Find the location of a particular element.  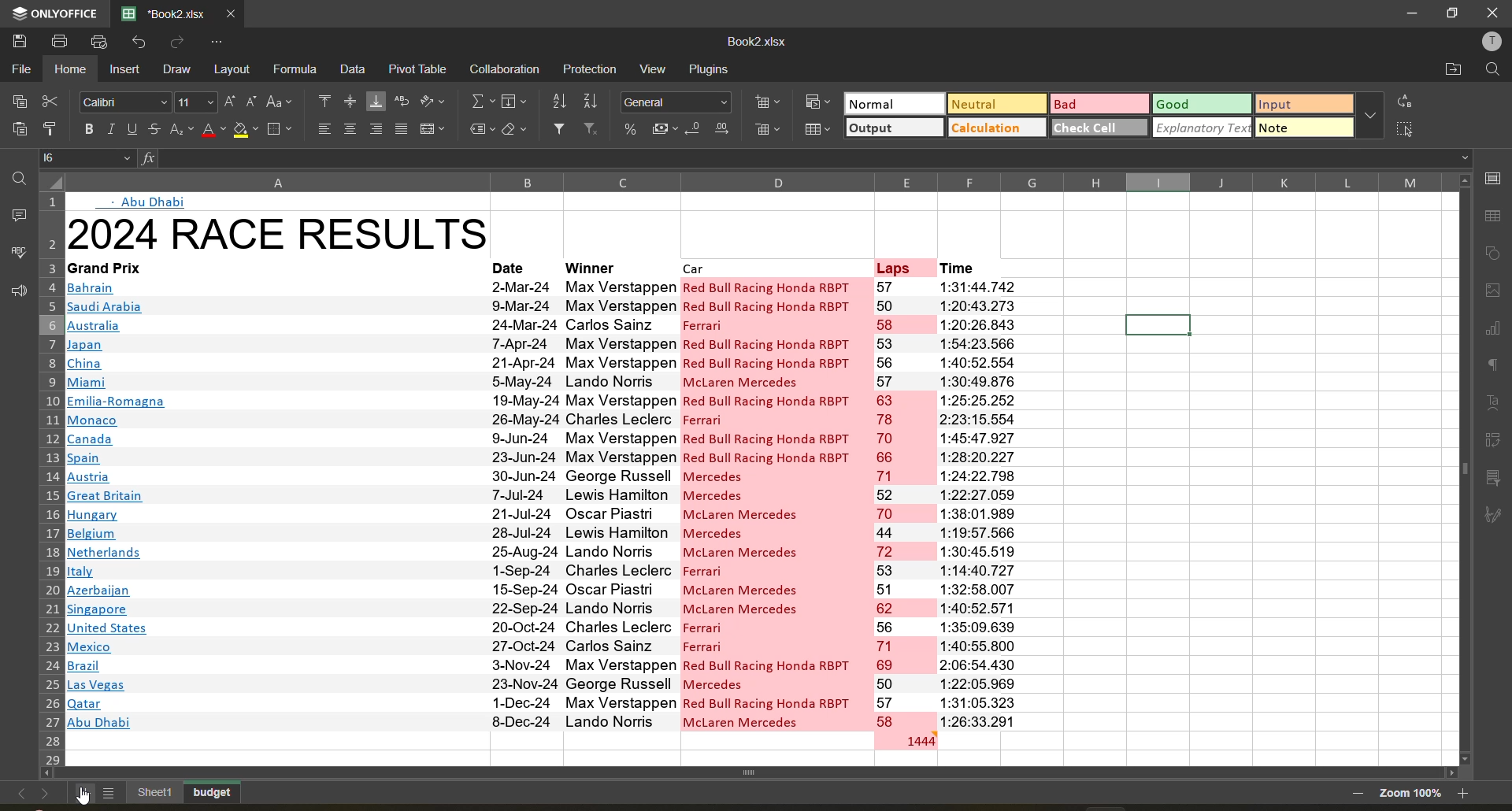

decrease decimal is located at coordinates (695, 130).